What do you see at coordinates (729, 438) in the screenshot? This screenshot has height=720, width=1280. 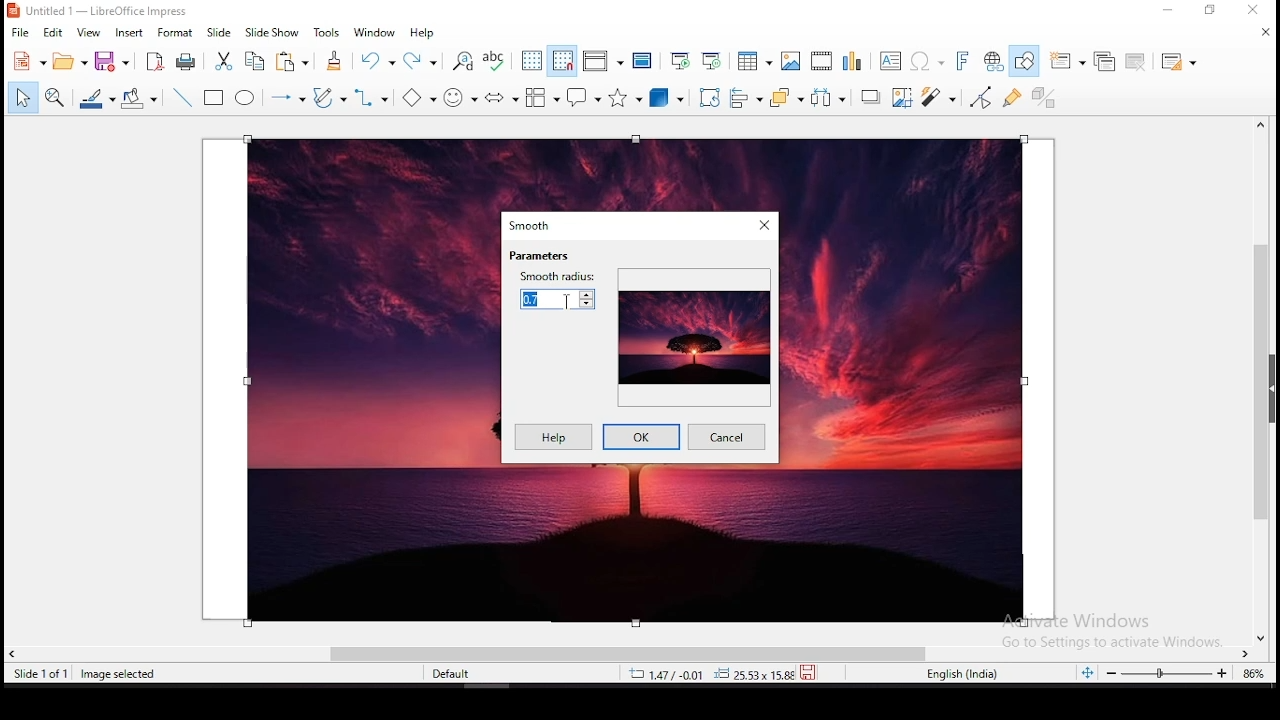 I see `cancel` at bounding box center [729, 438].